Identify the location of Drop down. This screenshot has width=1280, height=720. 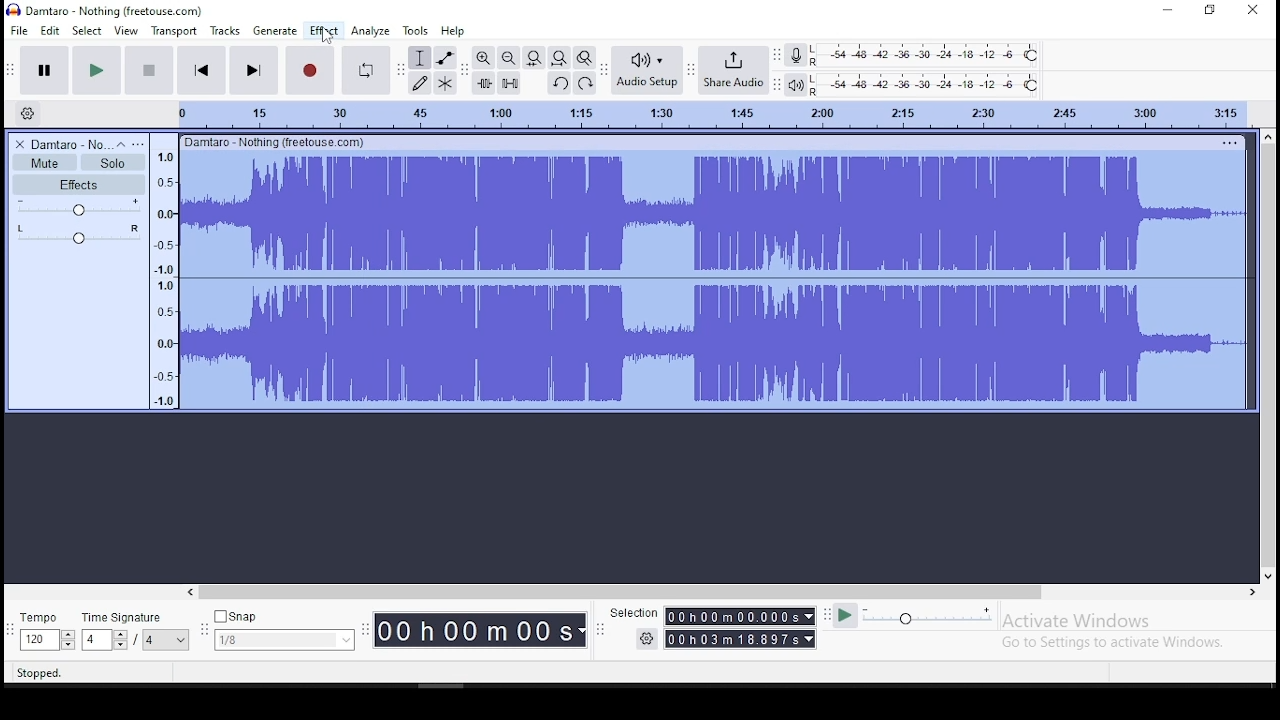
(809, 639).